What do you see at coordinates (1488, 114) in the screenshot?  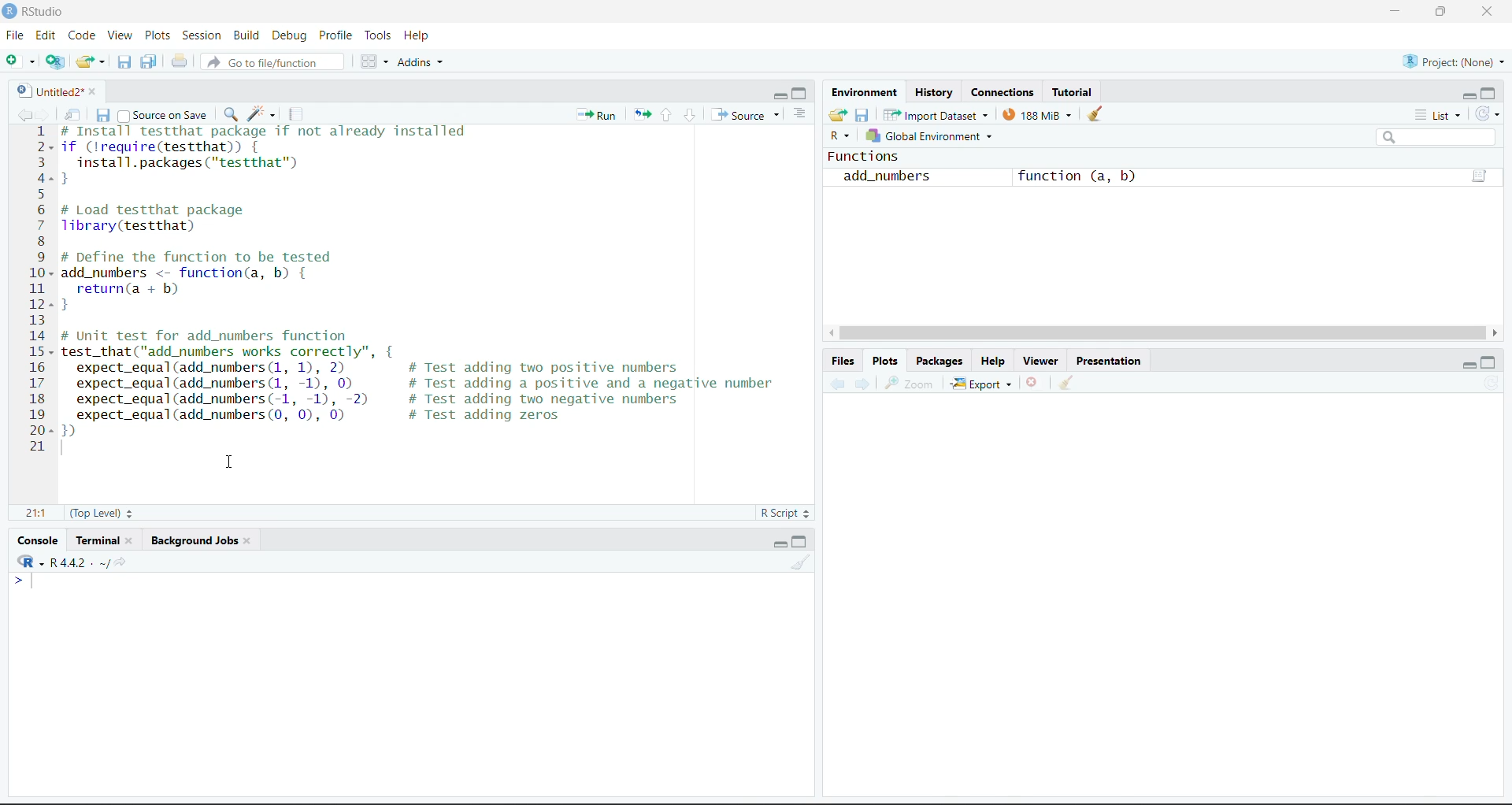 I see `refresh the list of objects of environment` at bounding box center [1488, 114].